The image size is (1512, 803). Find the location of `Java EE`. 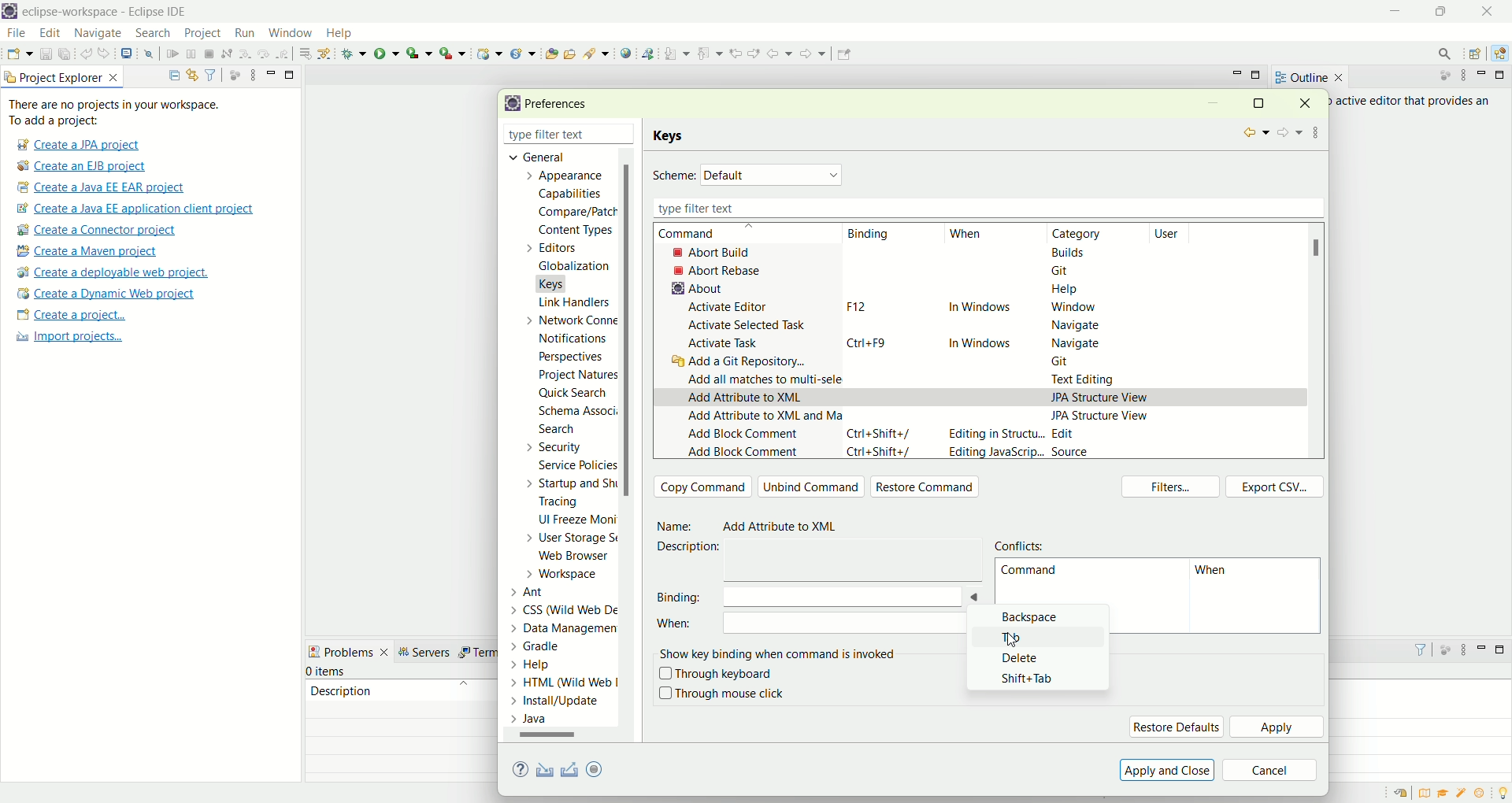

Java EE is located at coordinates (1503, 54).